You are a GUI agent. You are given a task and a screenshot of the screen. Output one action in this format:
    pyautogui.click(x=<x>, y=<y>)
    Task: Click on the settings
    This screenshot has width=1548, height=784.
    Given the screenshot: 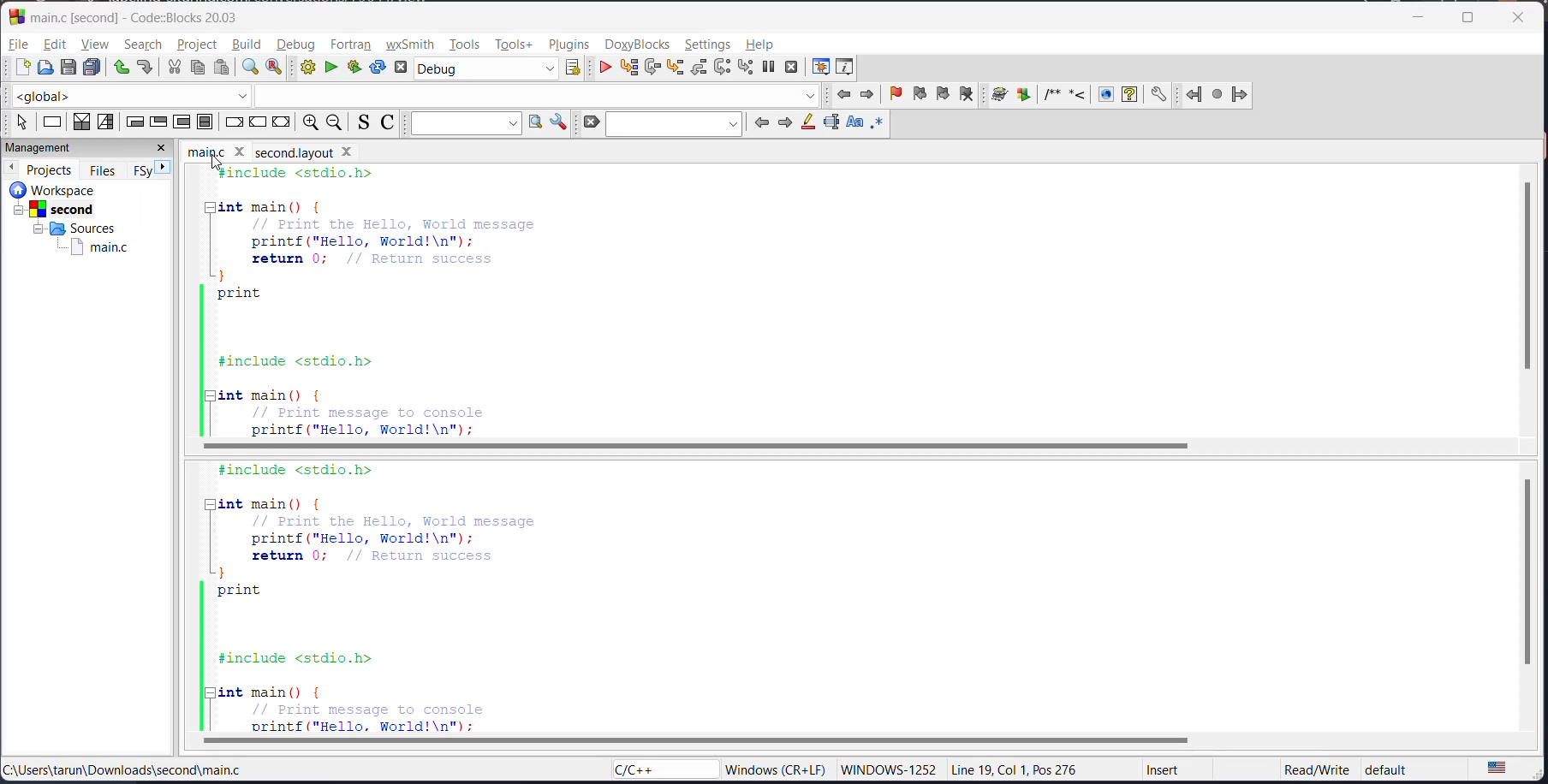 What is the action you would take?
    pyautogui.click(x=709, y=45)
    